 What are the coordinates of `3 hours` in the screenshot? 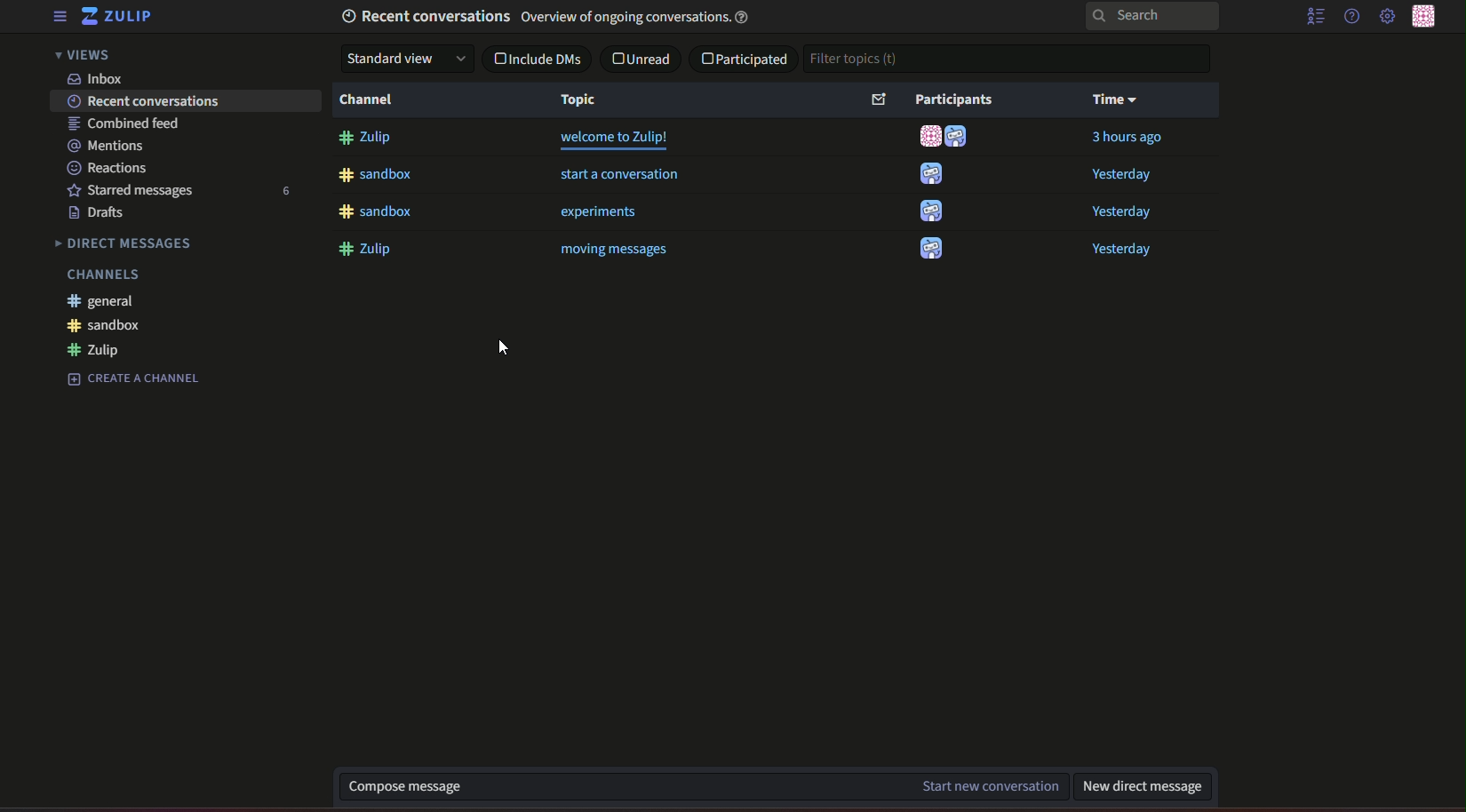 It's located at (1127, 139).